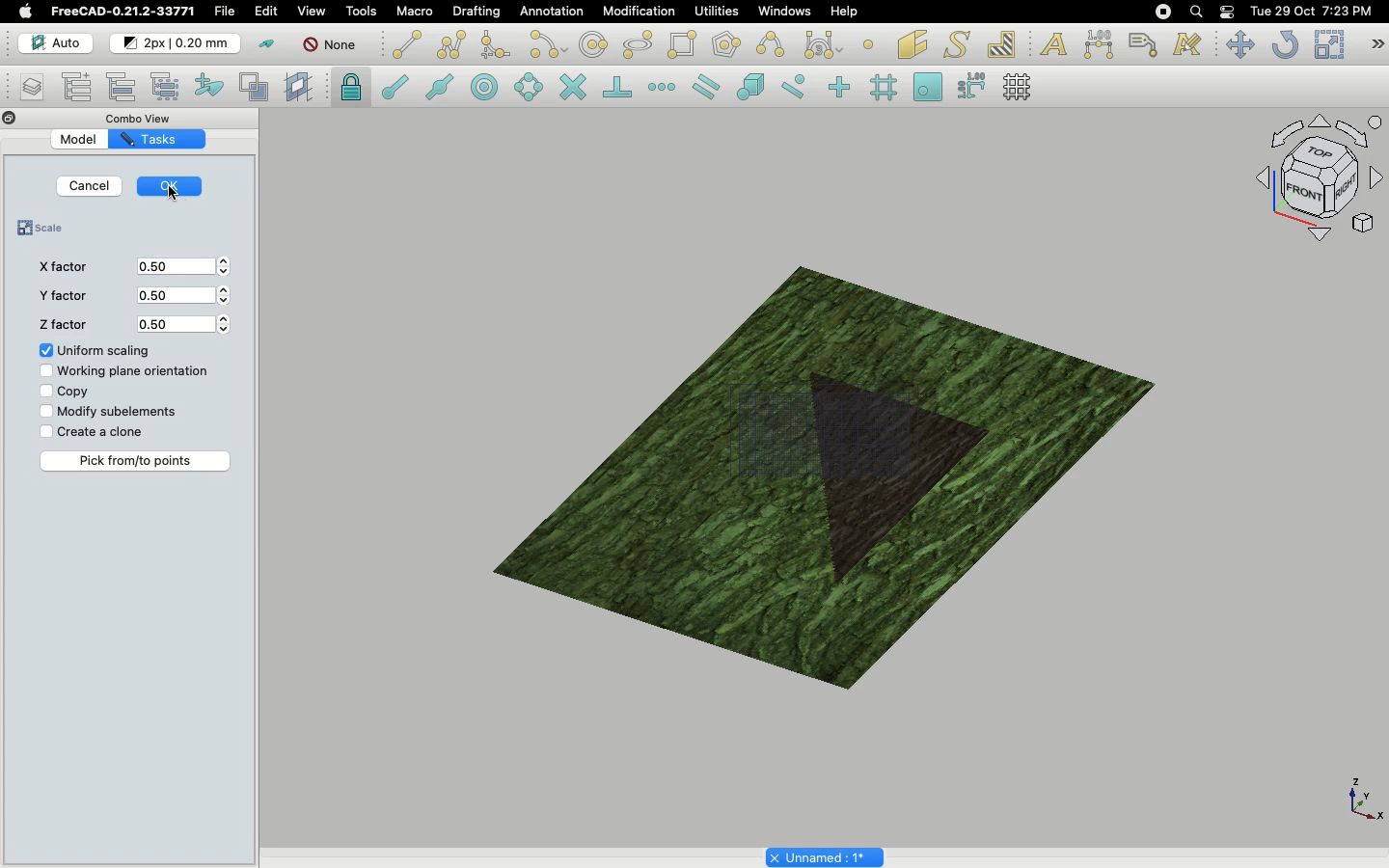  Describe the element at coordinates (546, 44) in the screenshot. I see `Arc tools` at that location.